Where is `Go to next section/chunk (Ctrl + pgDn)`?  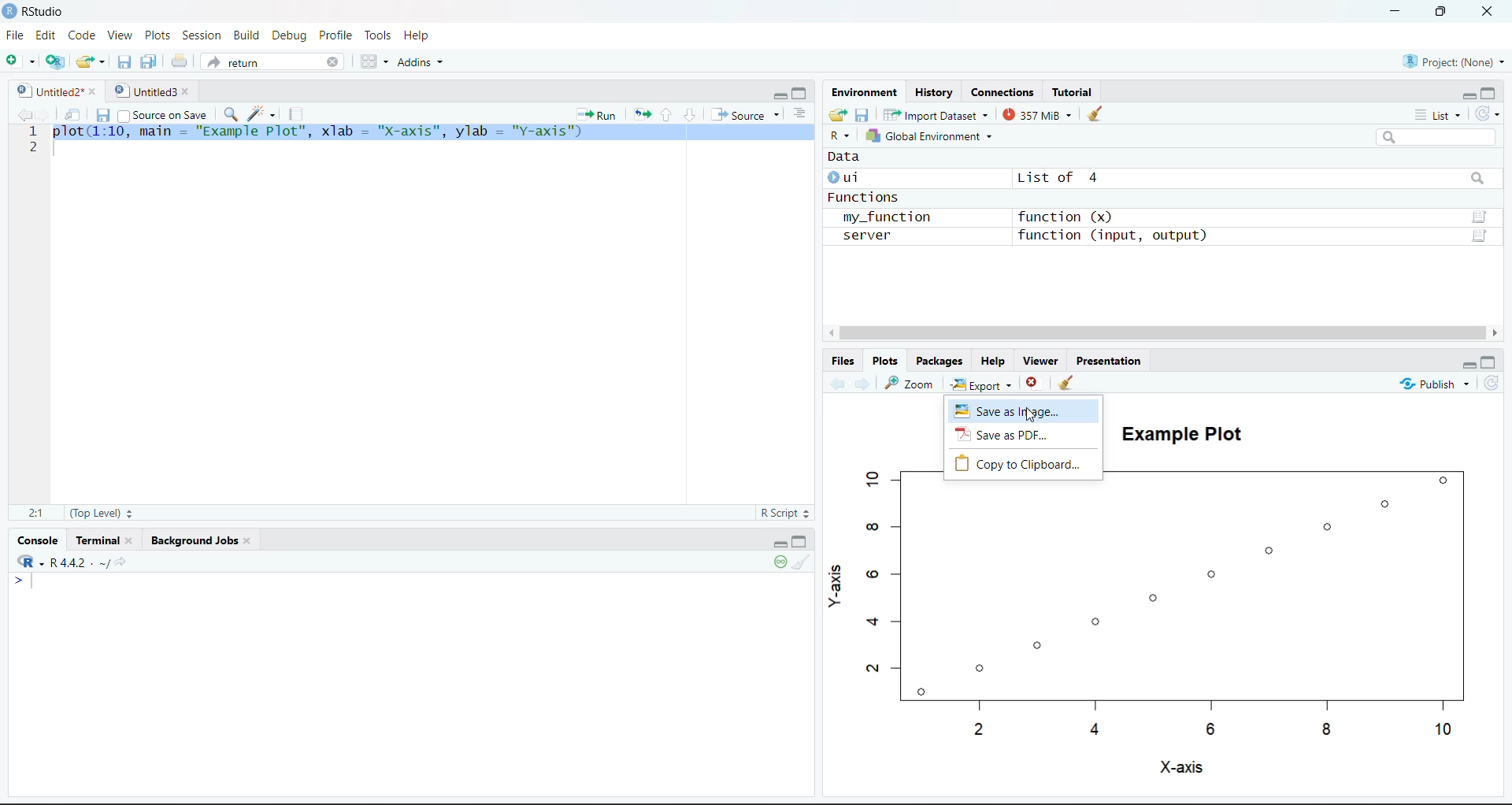
Go to next section/chunk (Ctrl + pgDn) is located at coordinates (688, 113).